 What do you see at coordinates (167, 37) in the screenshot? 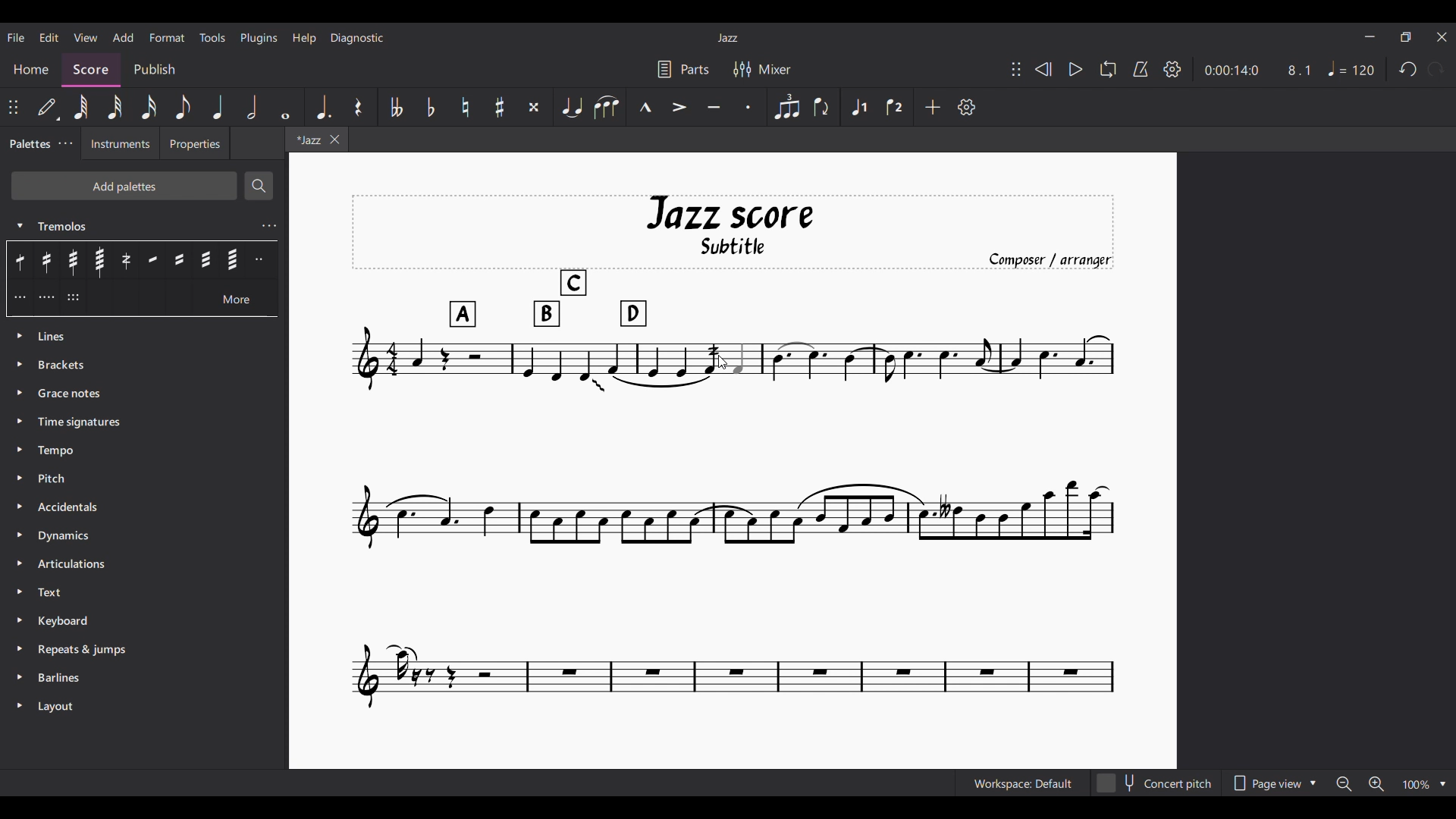
I see `Format` at bounding box center [167, 37].